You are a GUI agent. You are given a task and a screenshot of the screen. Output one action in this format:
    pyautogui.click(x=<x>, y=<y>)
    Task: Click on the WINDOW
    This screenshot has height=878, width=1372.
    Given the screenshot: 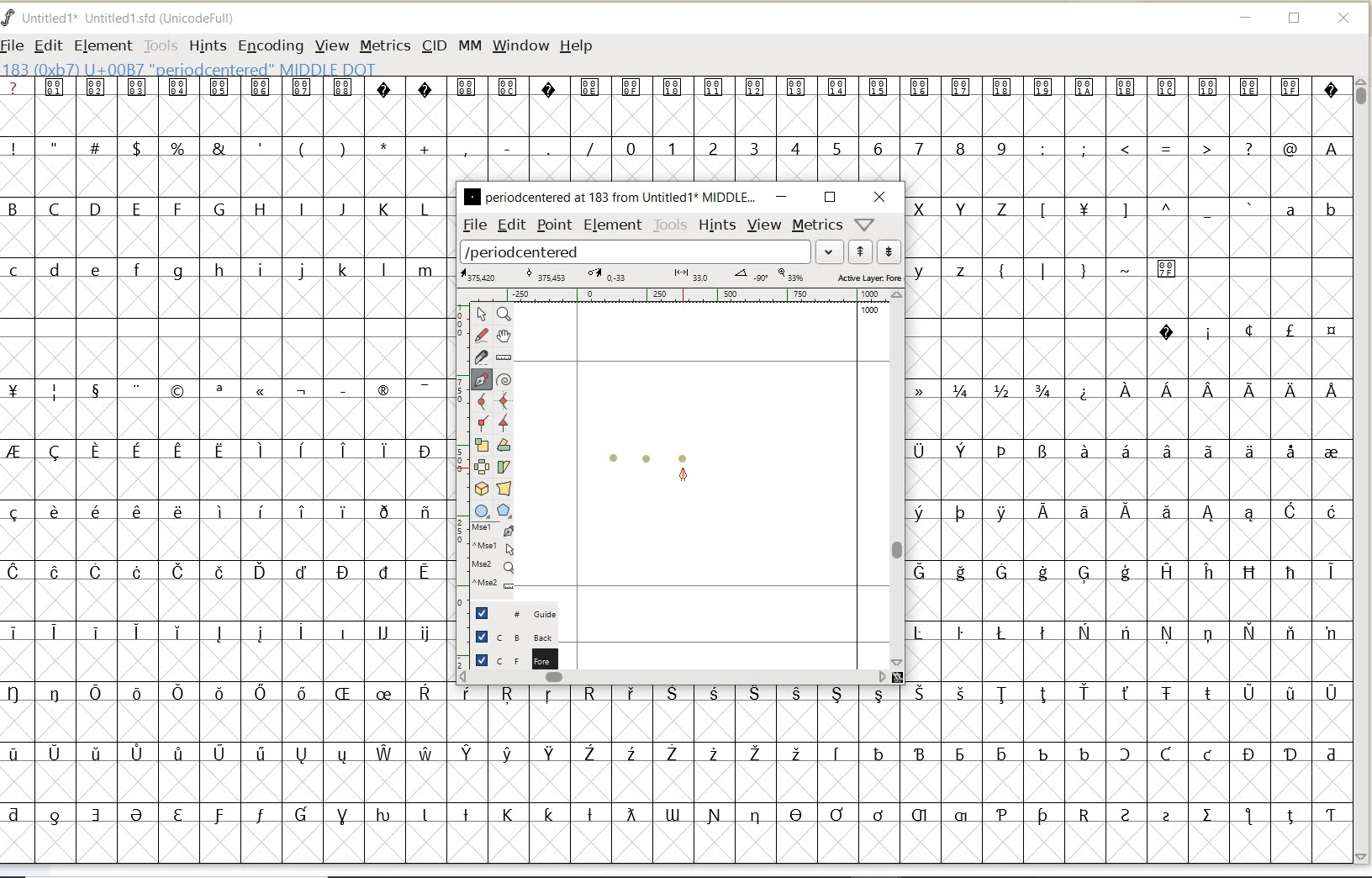 What is the action you would take?
    pyautogui.click(x=520, y=45)
    